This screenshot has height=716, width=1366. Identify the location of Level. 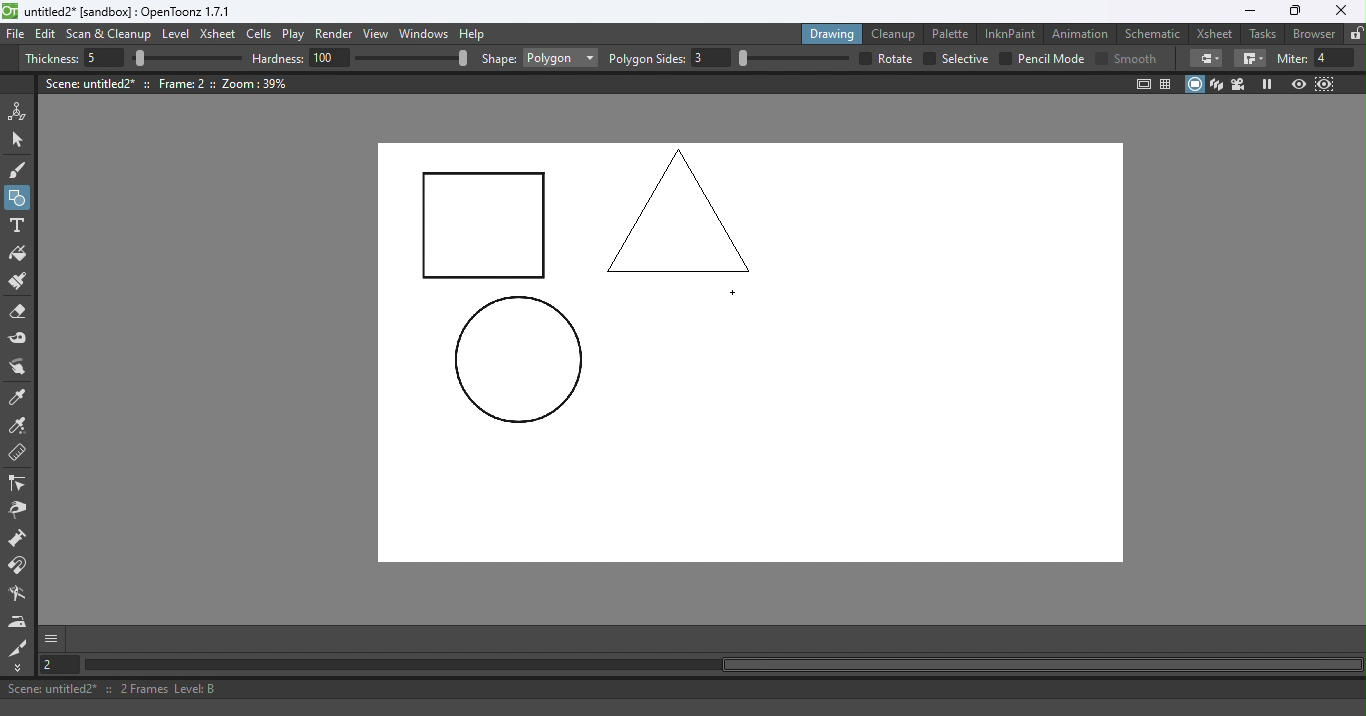
(176, 35).